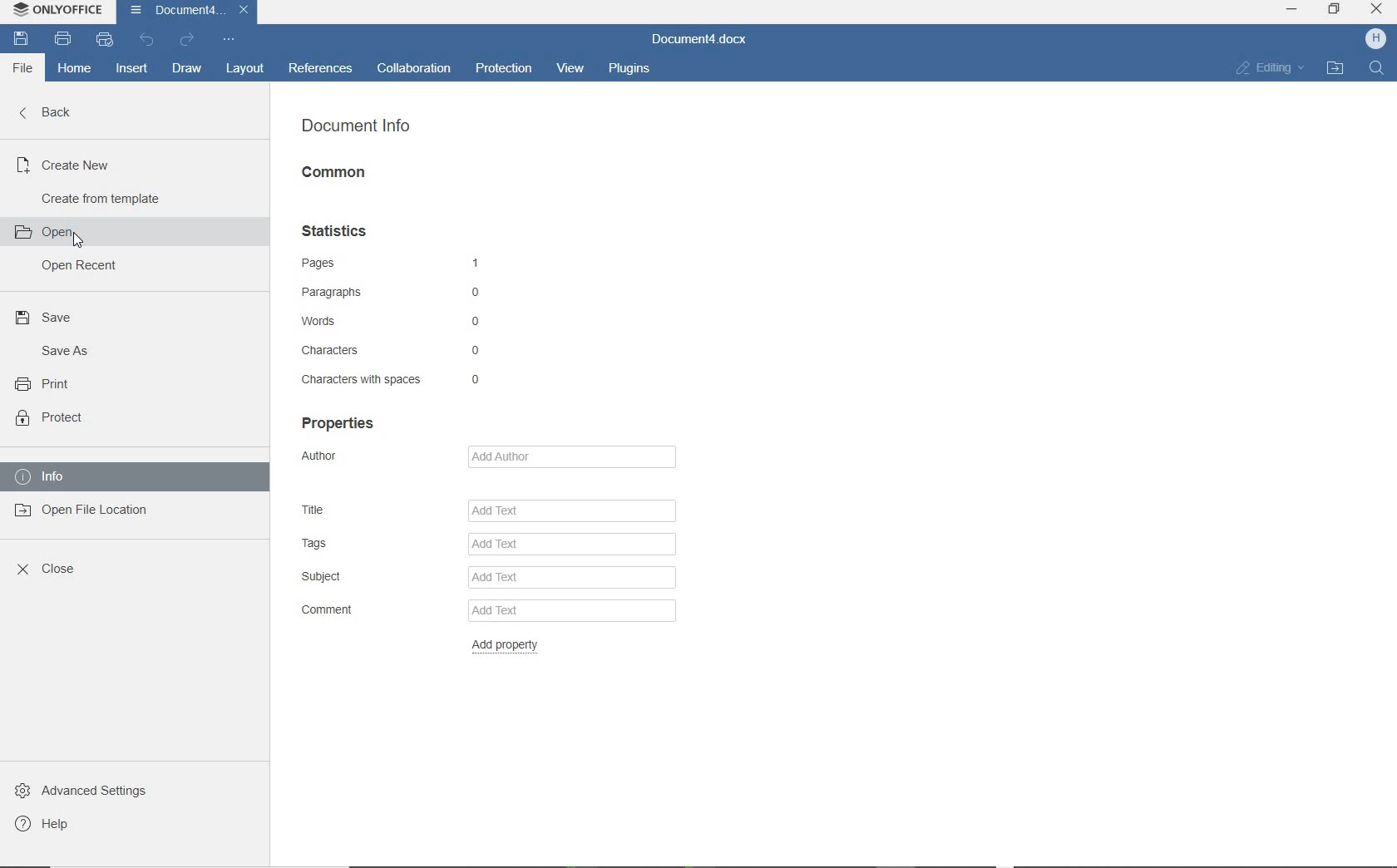 This screenshot has width=1397, height=868. Describe the element at coordinates (53, 230) in the screenshot. I see `open` at that location.